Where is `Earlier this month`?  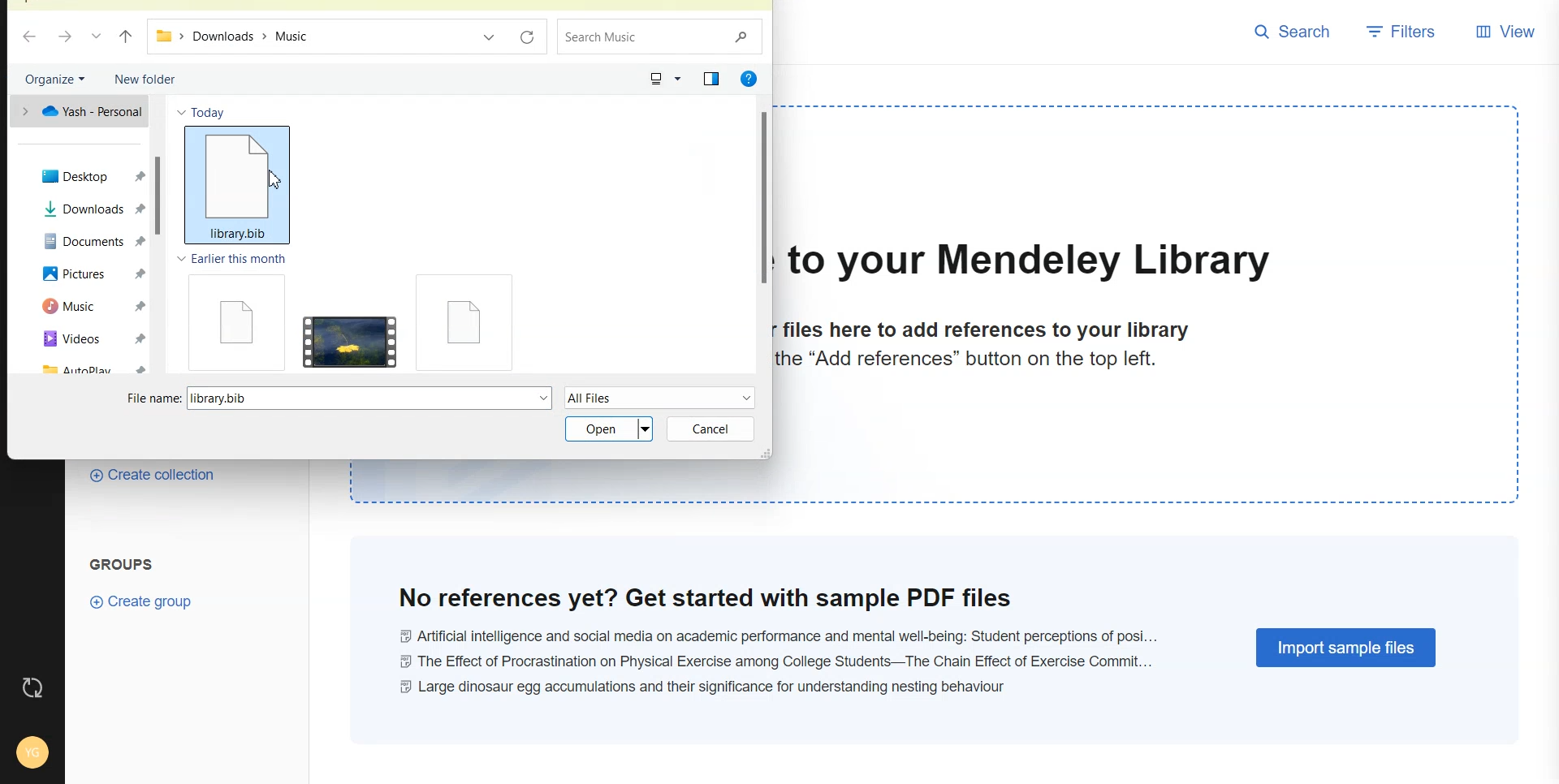 Earlier this month is located at coordinates (235, 261).